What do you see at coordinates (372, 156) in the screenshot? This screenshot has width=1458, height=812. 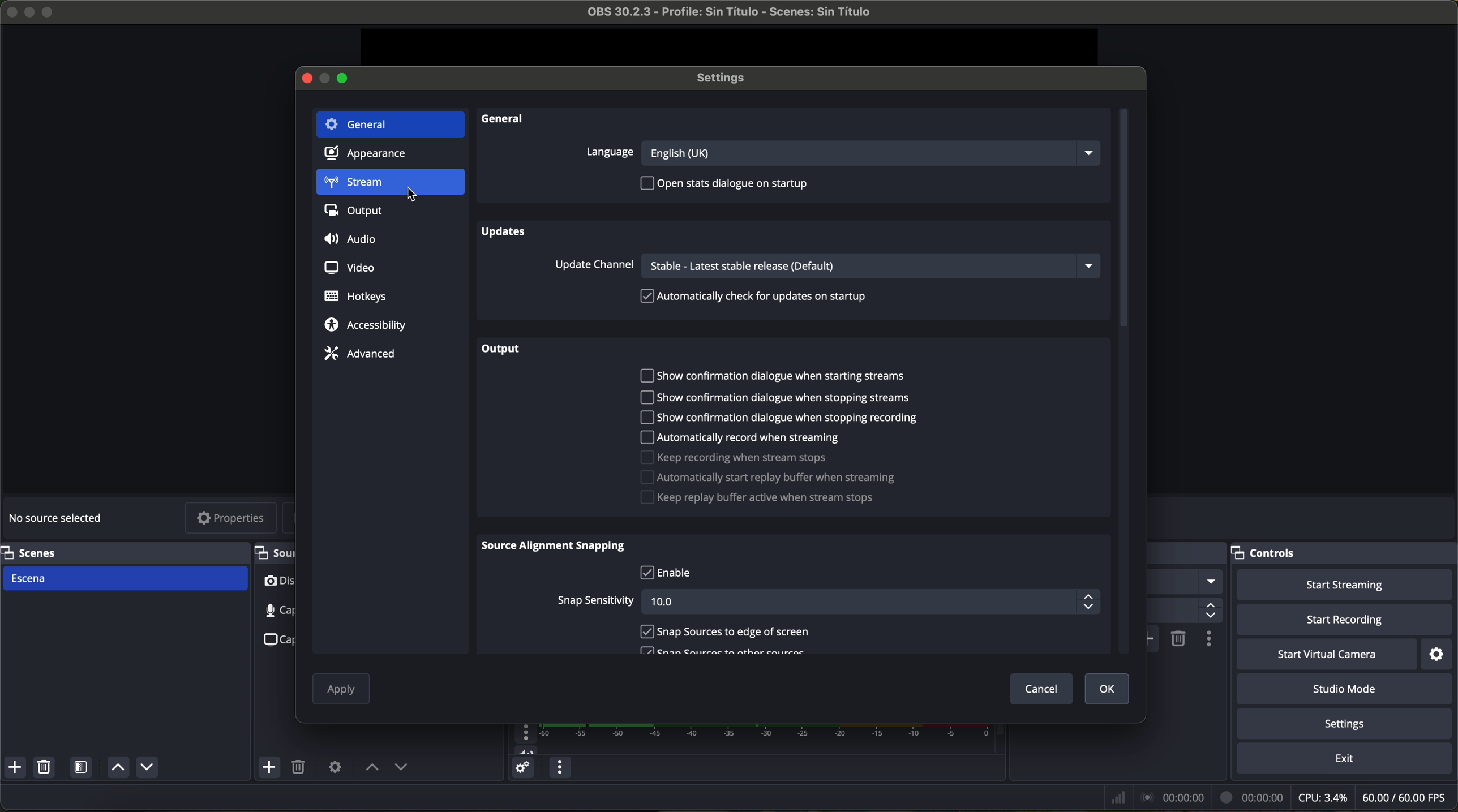 I see `appearance` at bounding box center [372, 156].